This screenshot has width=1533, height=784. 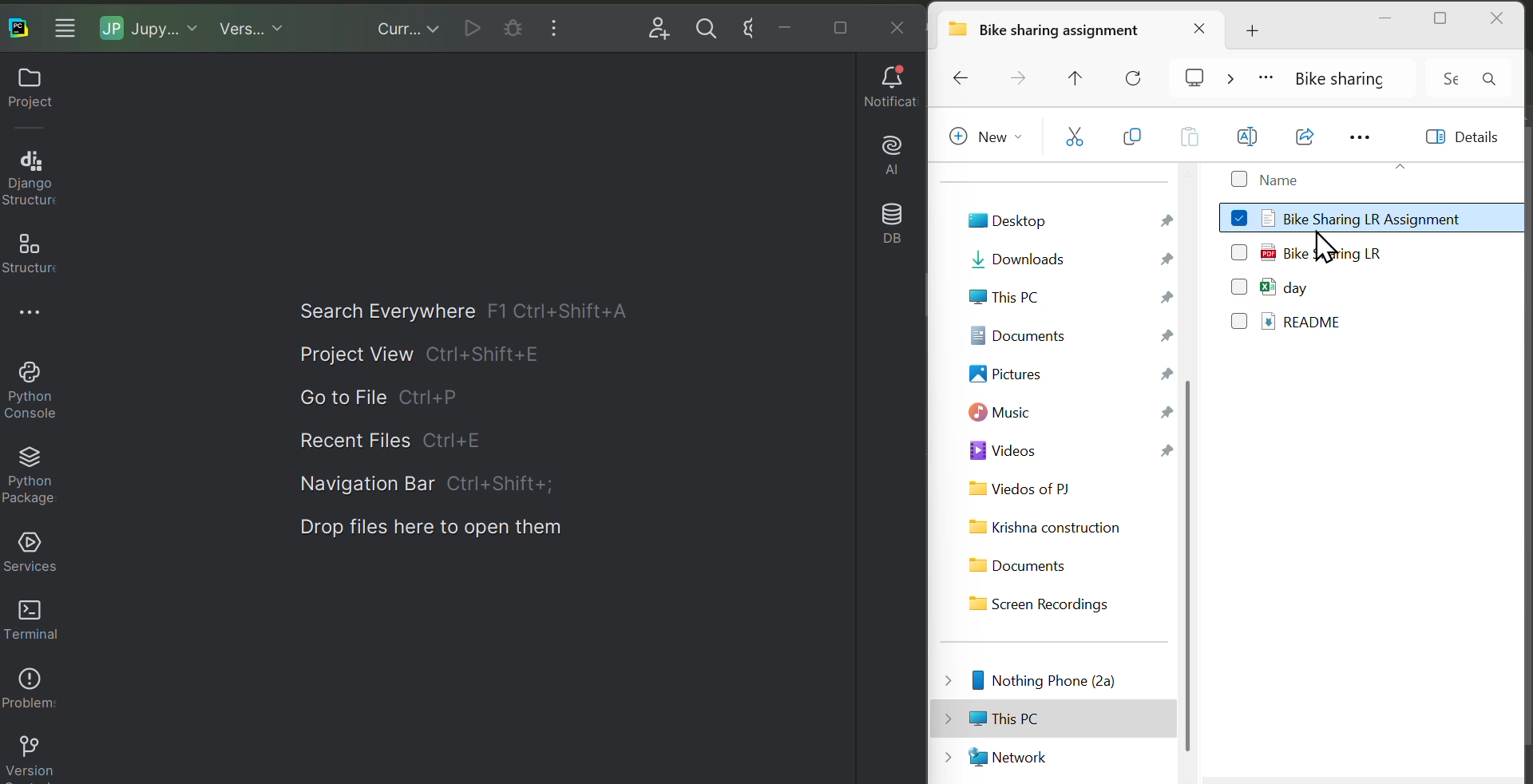 What do you see at coordinates (1238, 214) in the screenshot?
I see `checkbox` at bounding box center [1238, 214].